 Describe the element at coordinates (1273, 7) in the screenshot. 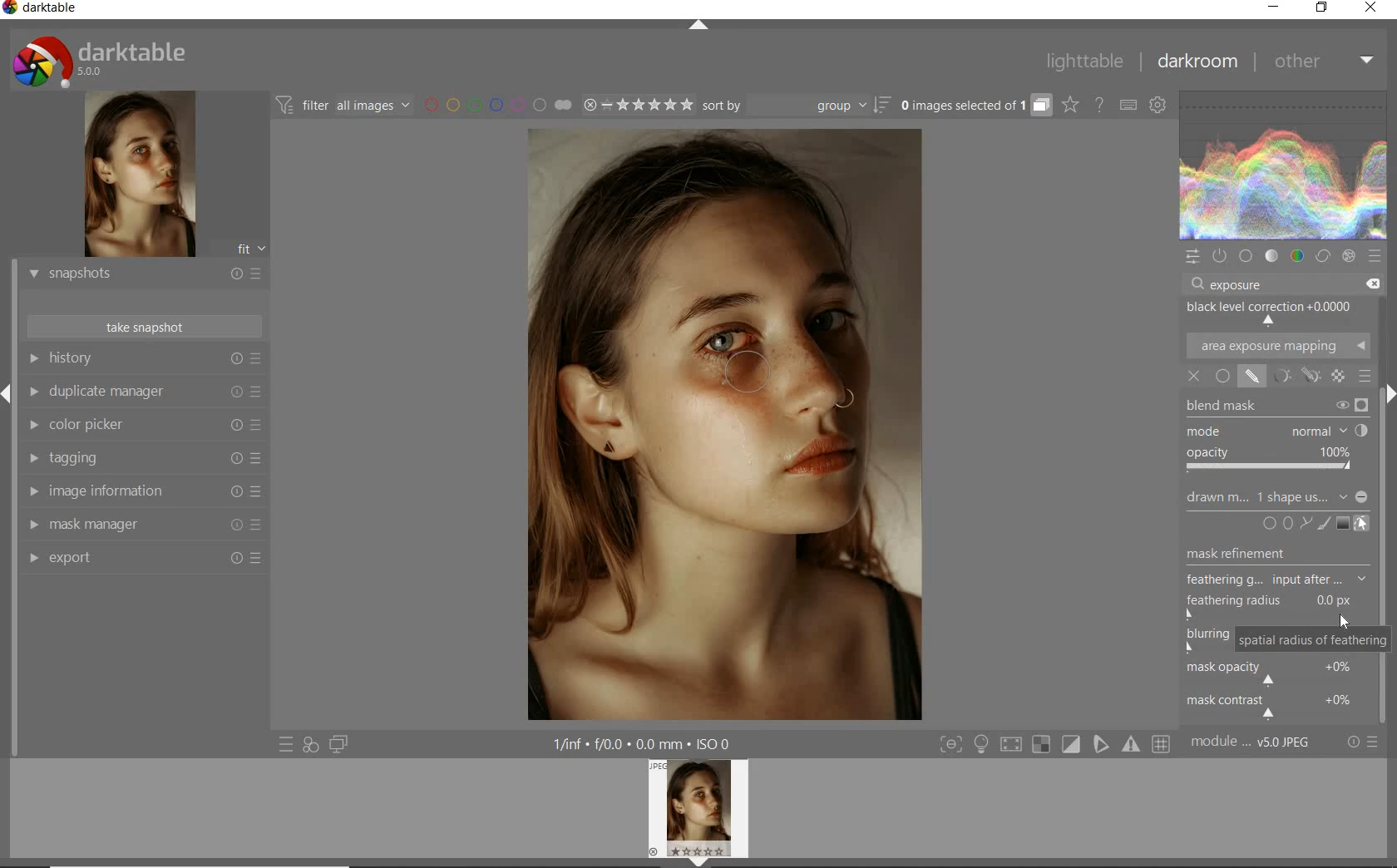

I see `minimize` at that location.